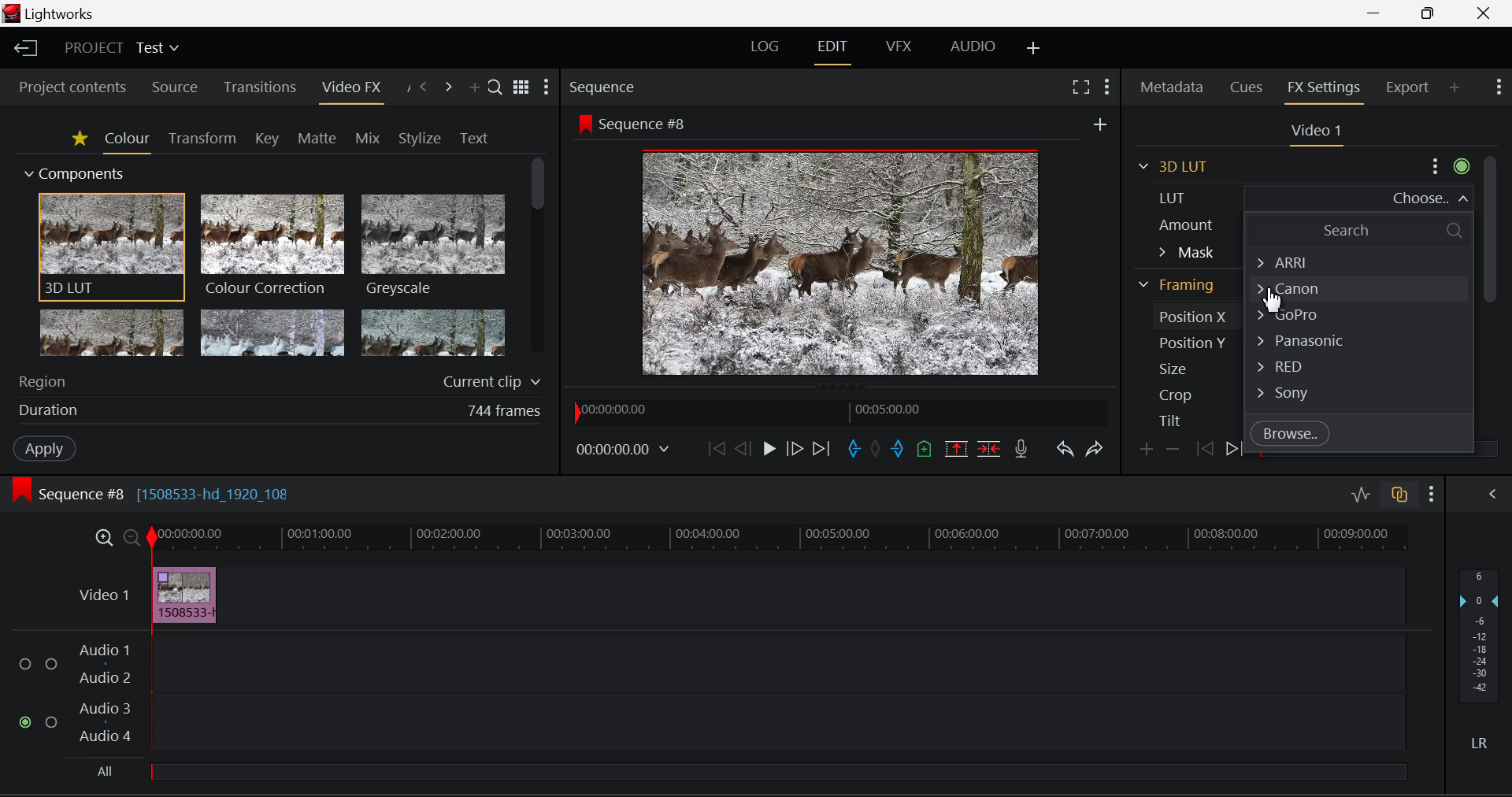  I want to click on Mosaic, so click(273, 334).